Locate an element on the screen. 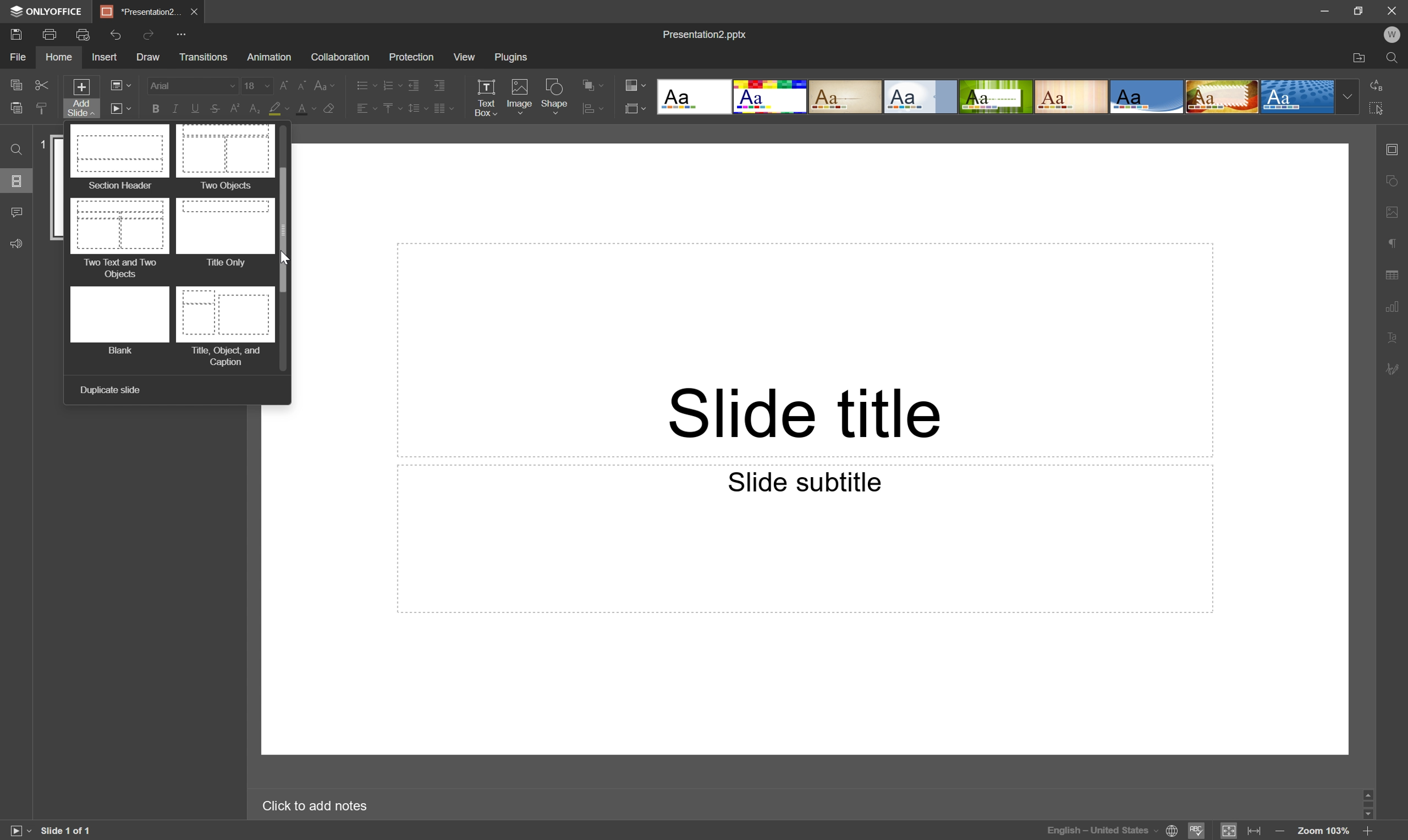 This screenshot has height=840, width=1408. Horizontal align is located at coordinates (360, 108).